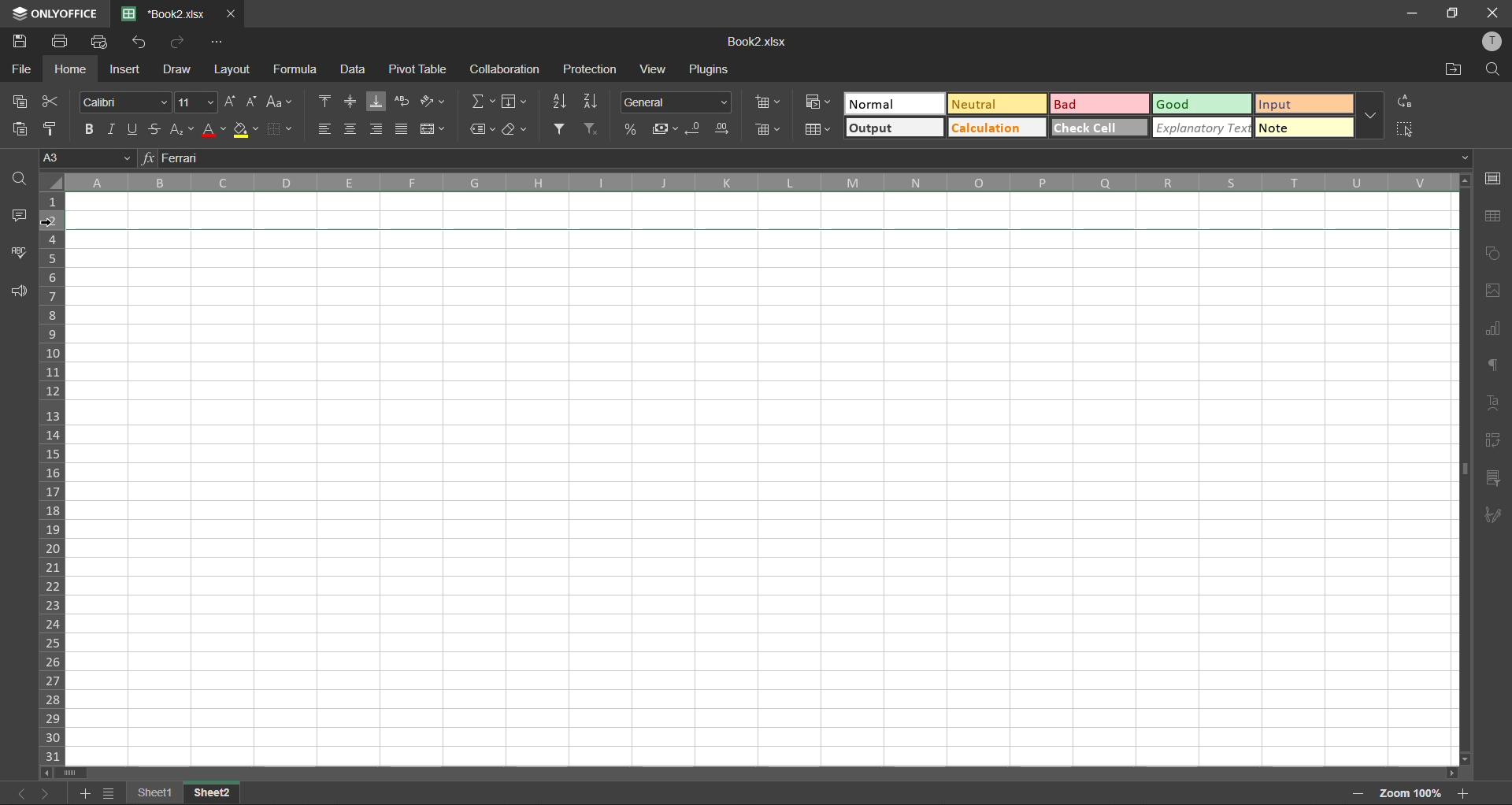 Image resolution: width=1512 pixels, height=805 pixels. I want to click on bold, so click(90, 128).